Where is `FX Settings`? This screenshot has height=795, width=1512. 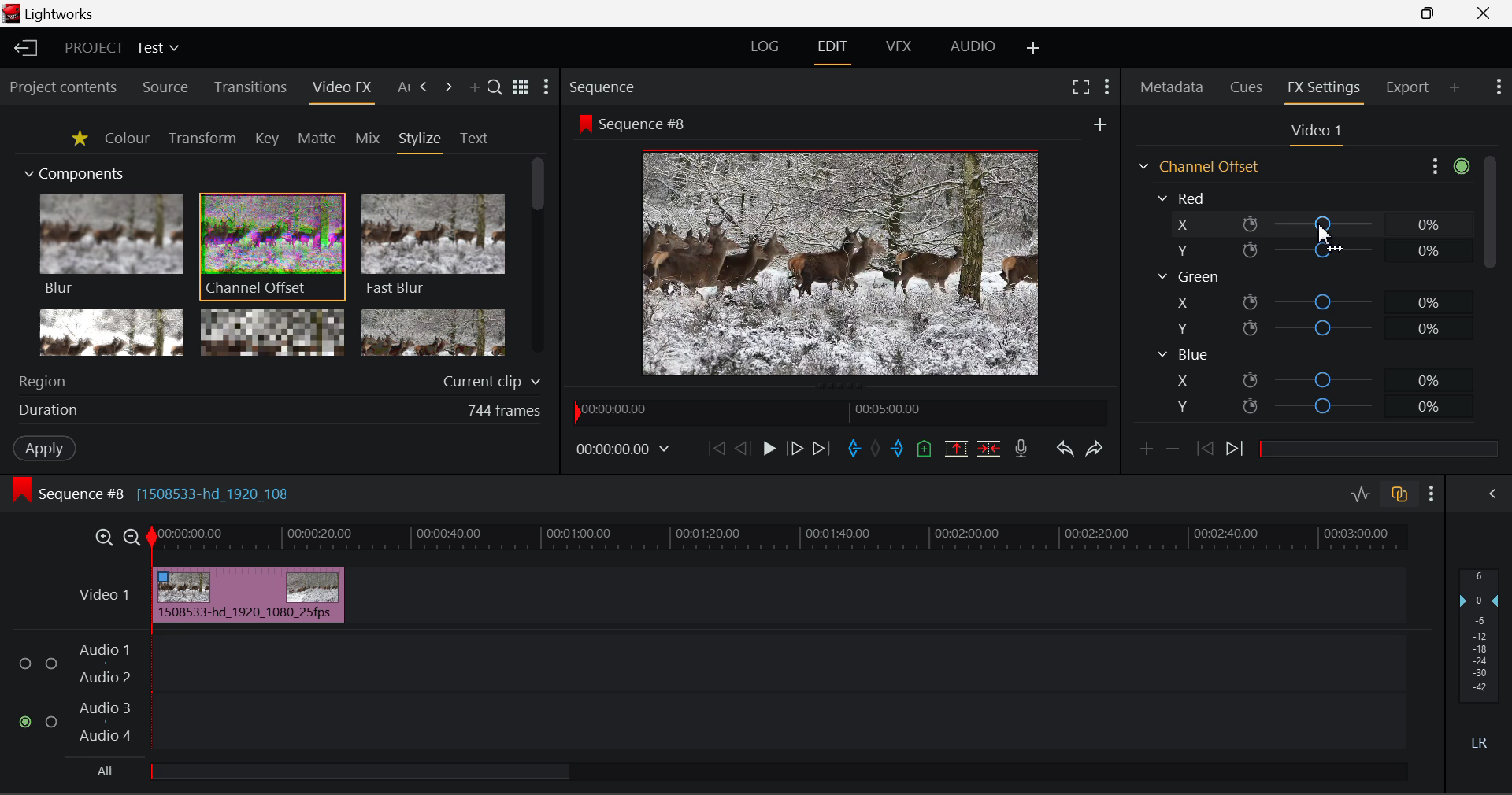
FX Settings is located at coordinates (1325, 89).